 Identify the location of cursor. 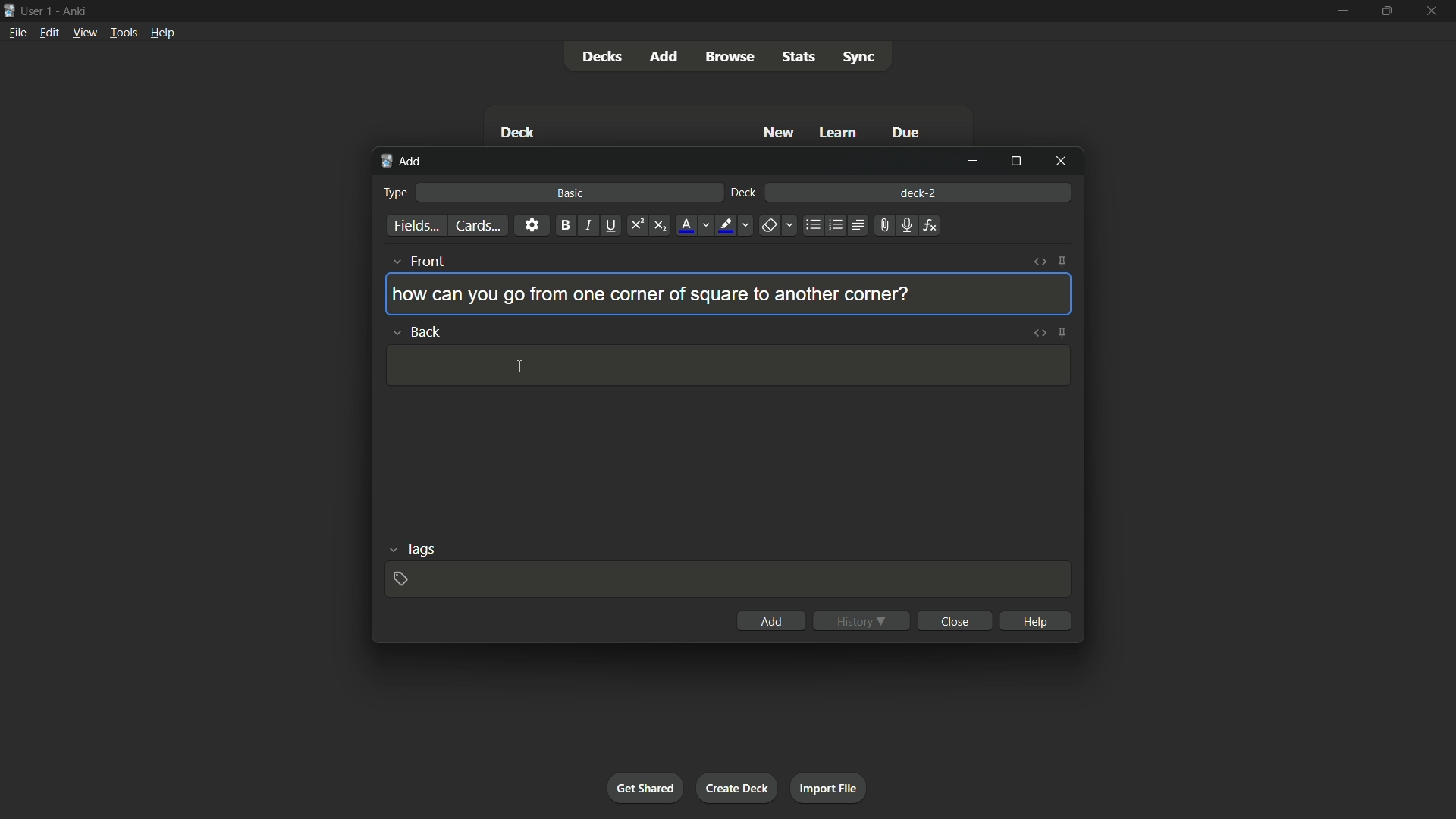
(522, 367).